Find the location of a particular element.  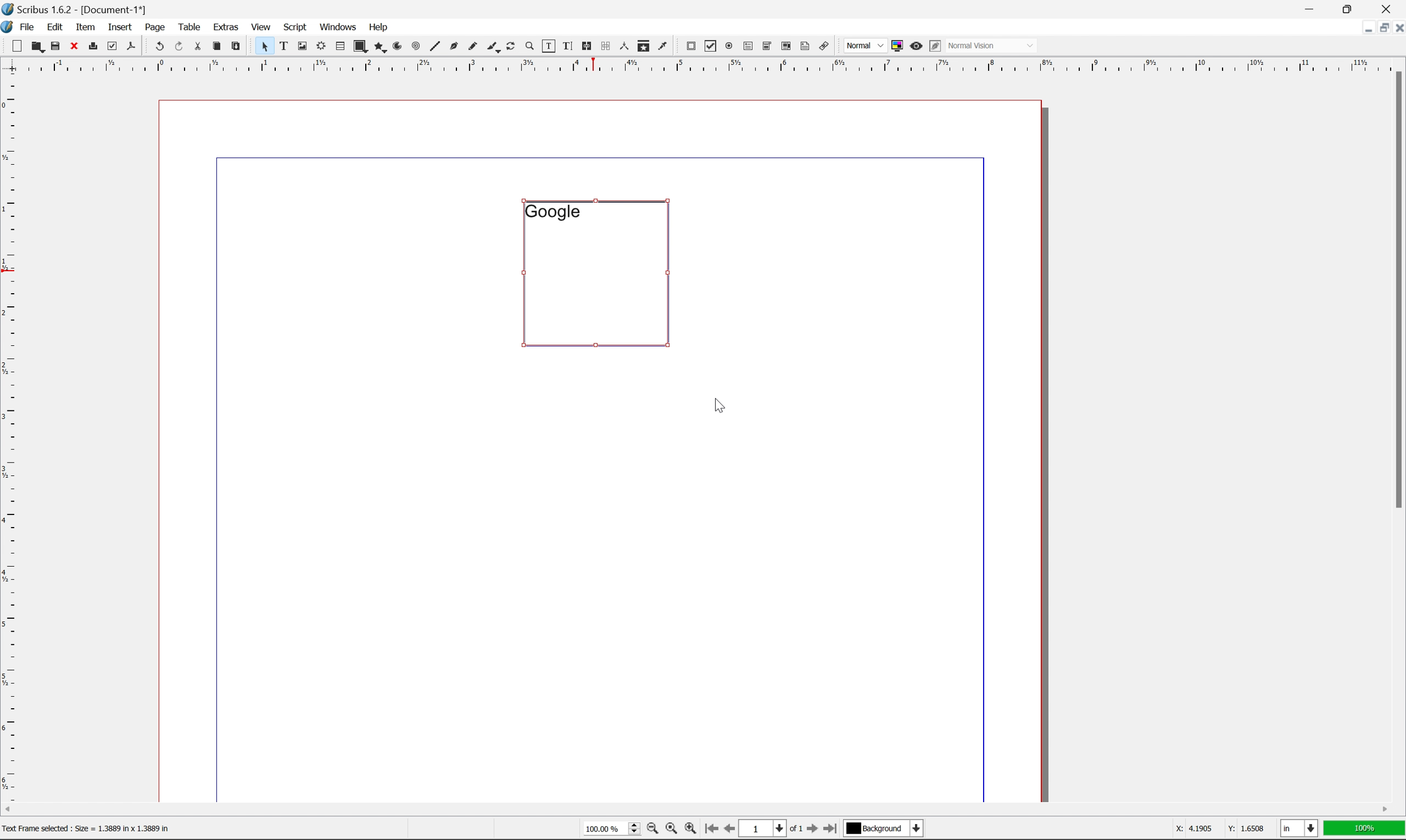

scroll bar is located at coordinates (696, 809).